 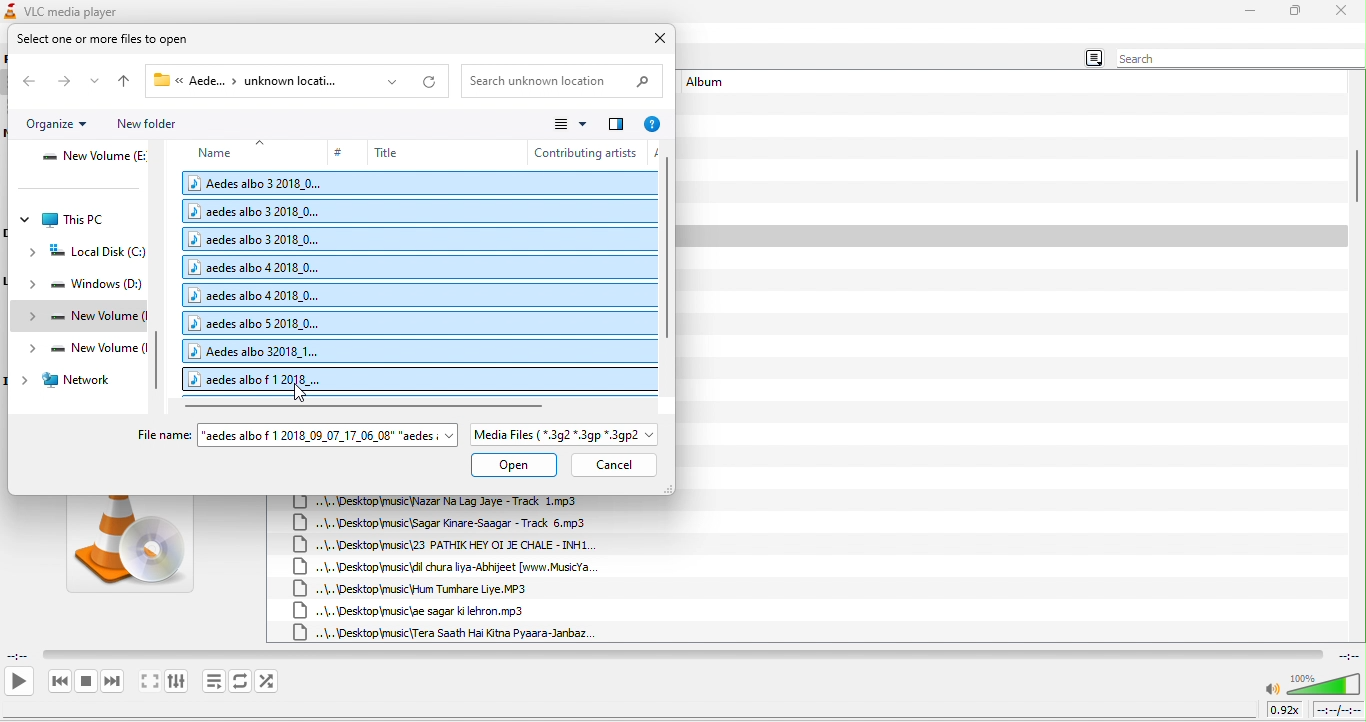 I want to click on Aedes albo 32018_1..., so click(x=256, y=349).